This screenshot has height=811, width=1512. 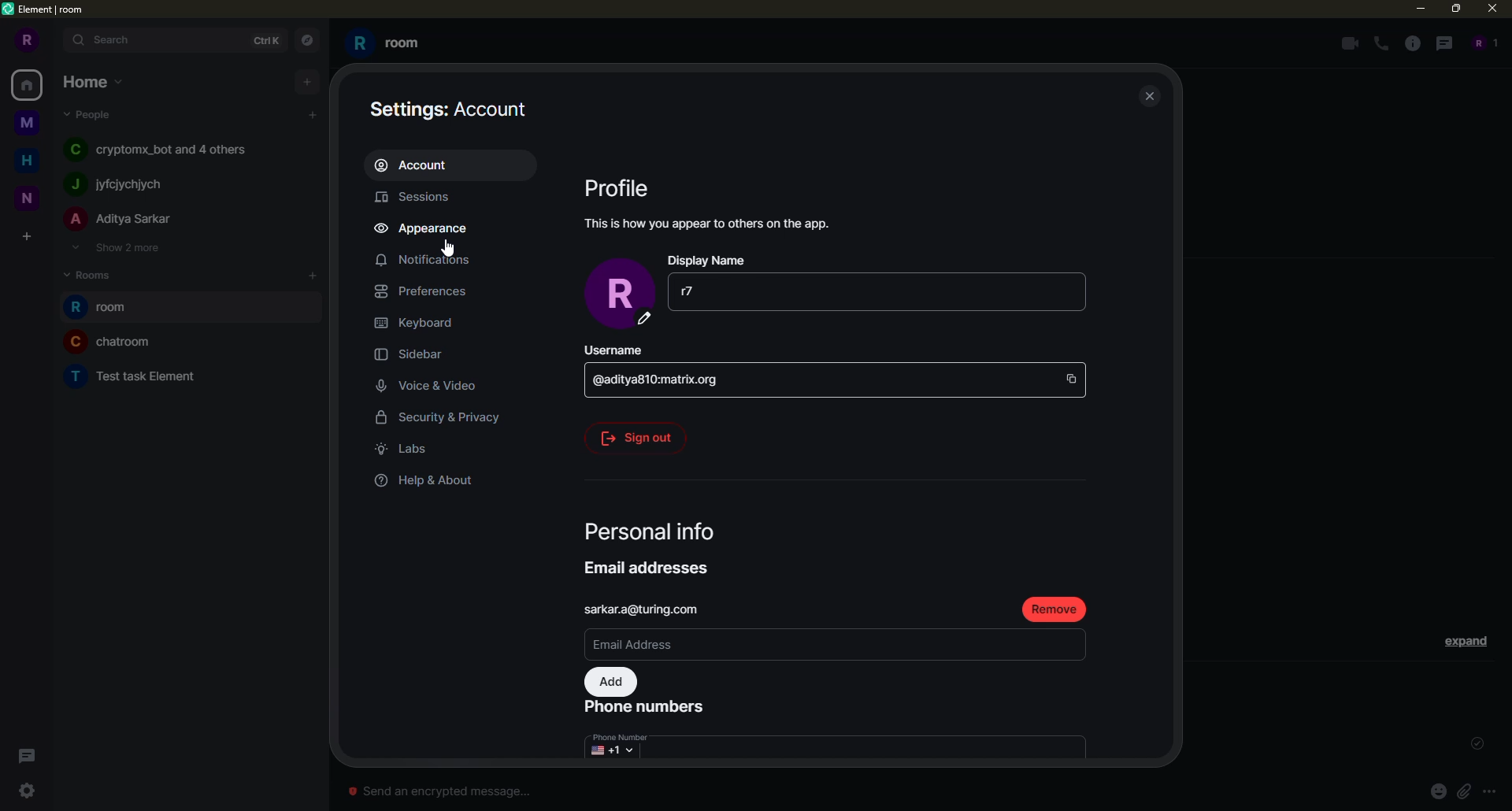 I want to click on settings, so click(x=27, y=791).